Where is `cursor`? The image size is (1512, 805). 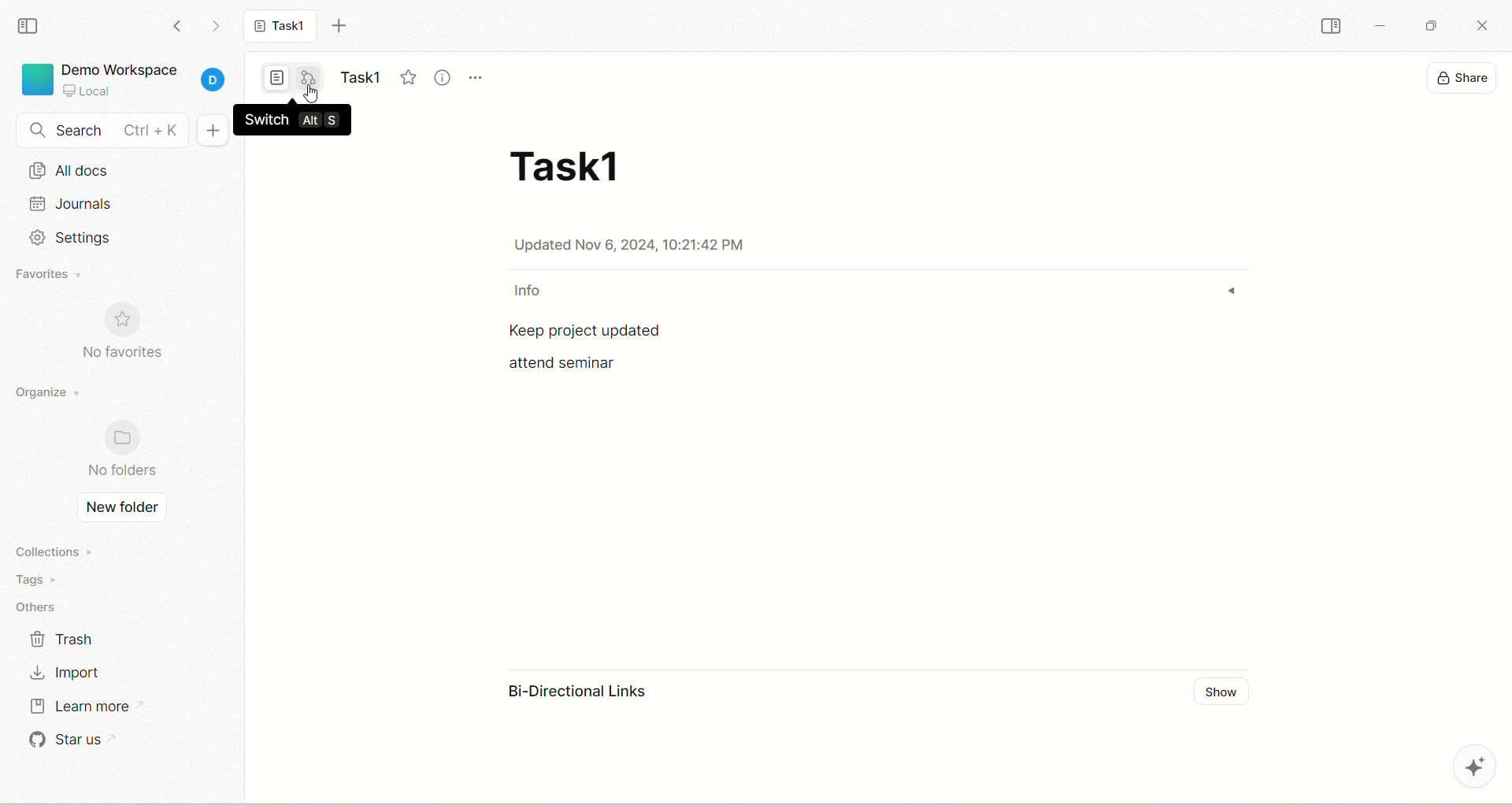 cursor is located at coordinates (311, 93).